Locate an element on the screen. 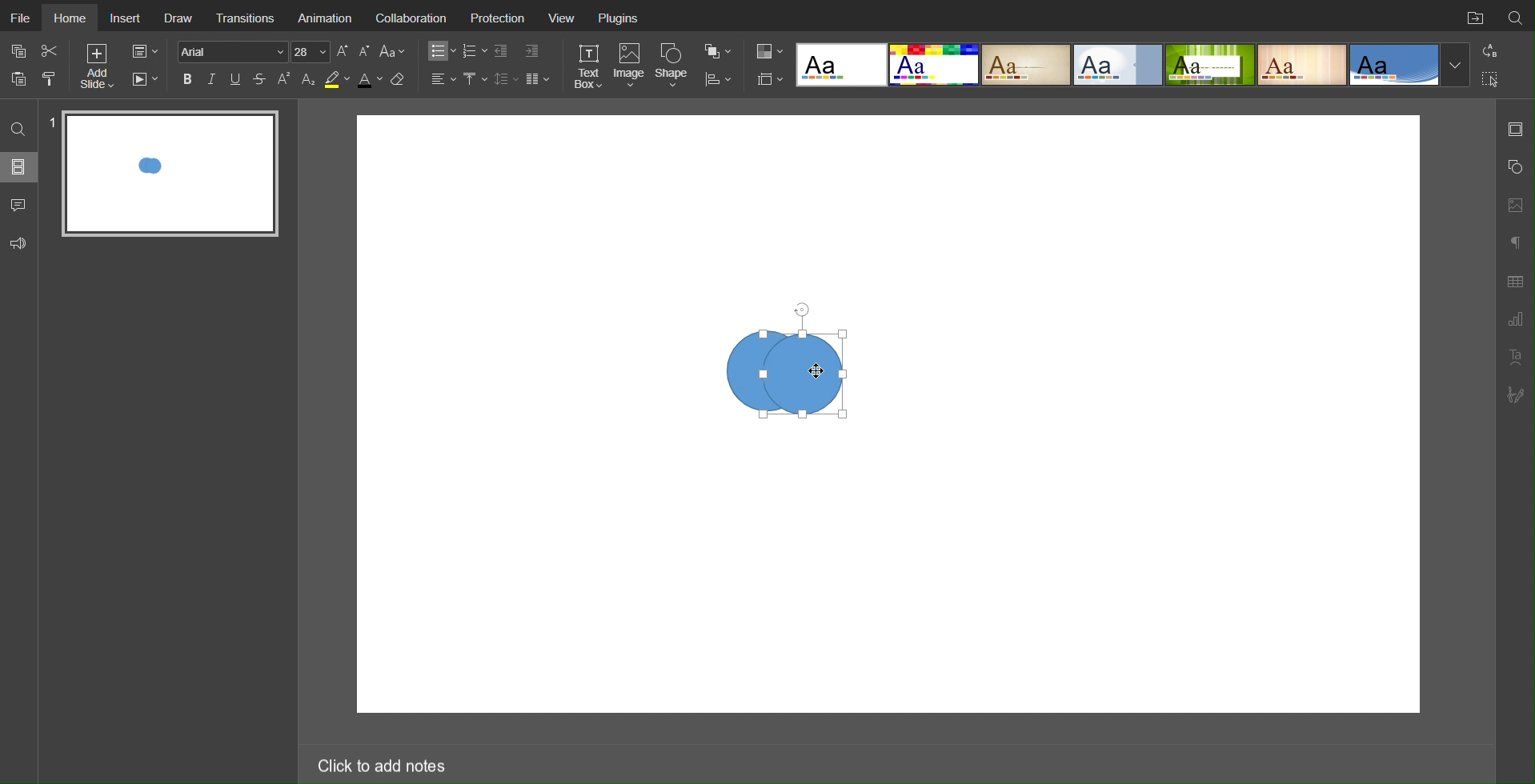 This screenshot has width=1535, height=784. Bullet List is located at coordinates (439, 51).